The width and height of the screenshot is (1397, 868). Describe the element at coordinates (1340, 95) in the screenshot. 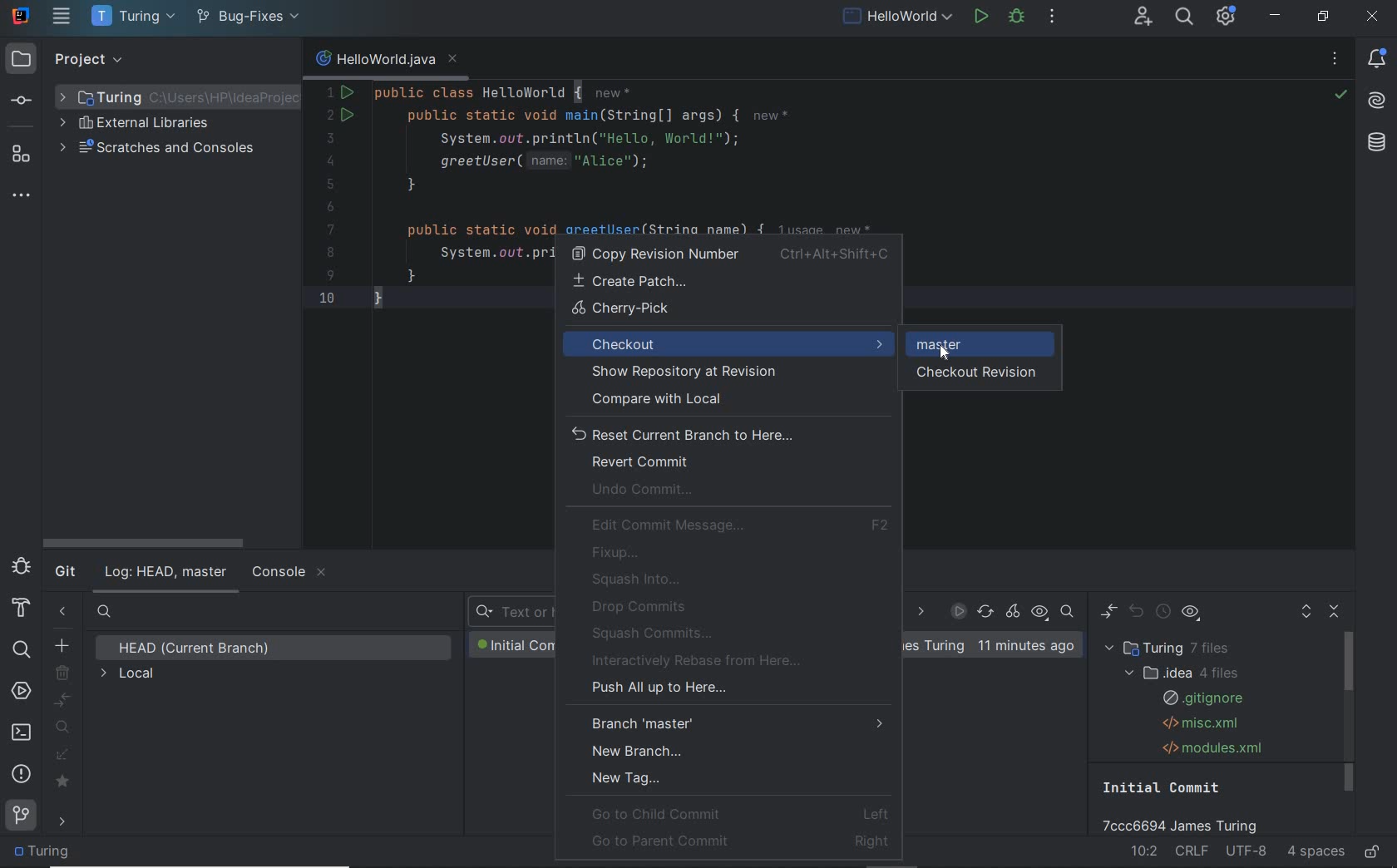

I see `no highlighted error` at that location.